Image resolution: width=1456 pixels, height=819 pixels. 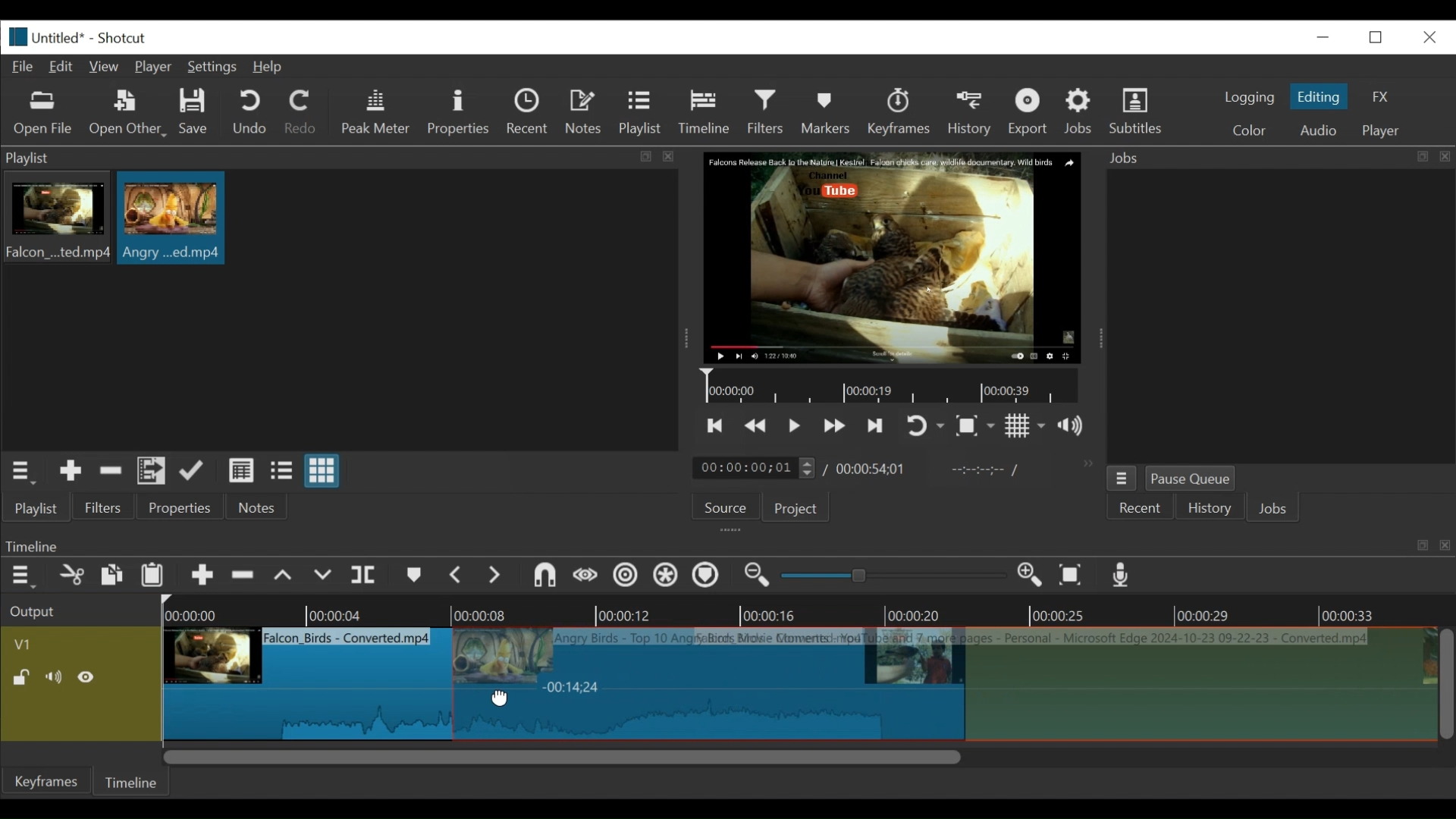 What do you see at coordinates (104, 508) in the screenshot?
I see `Filters` at bounding box center [104, 508].